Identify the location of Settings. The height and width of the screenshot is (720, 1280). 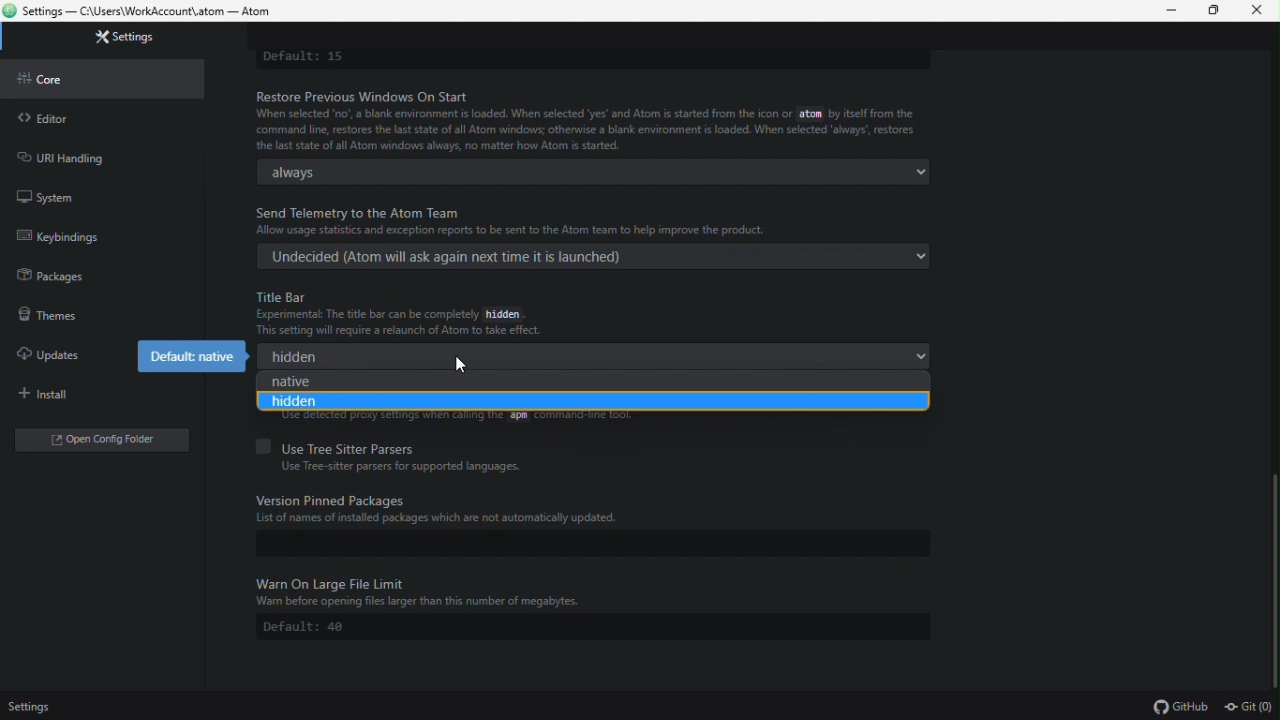
(38, 707).